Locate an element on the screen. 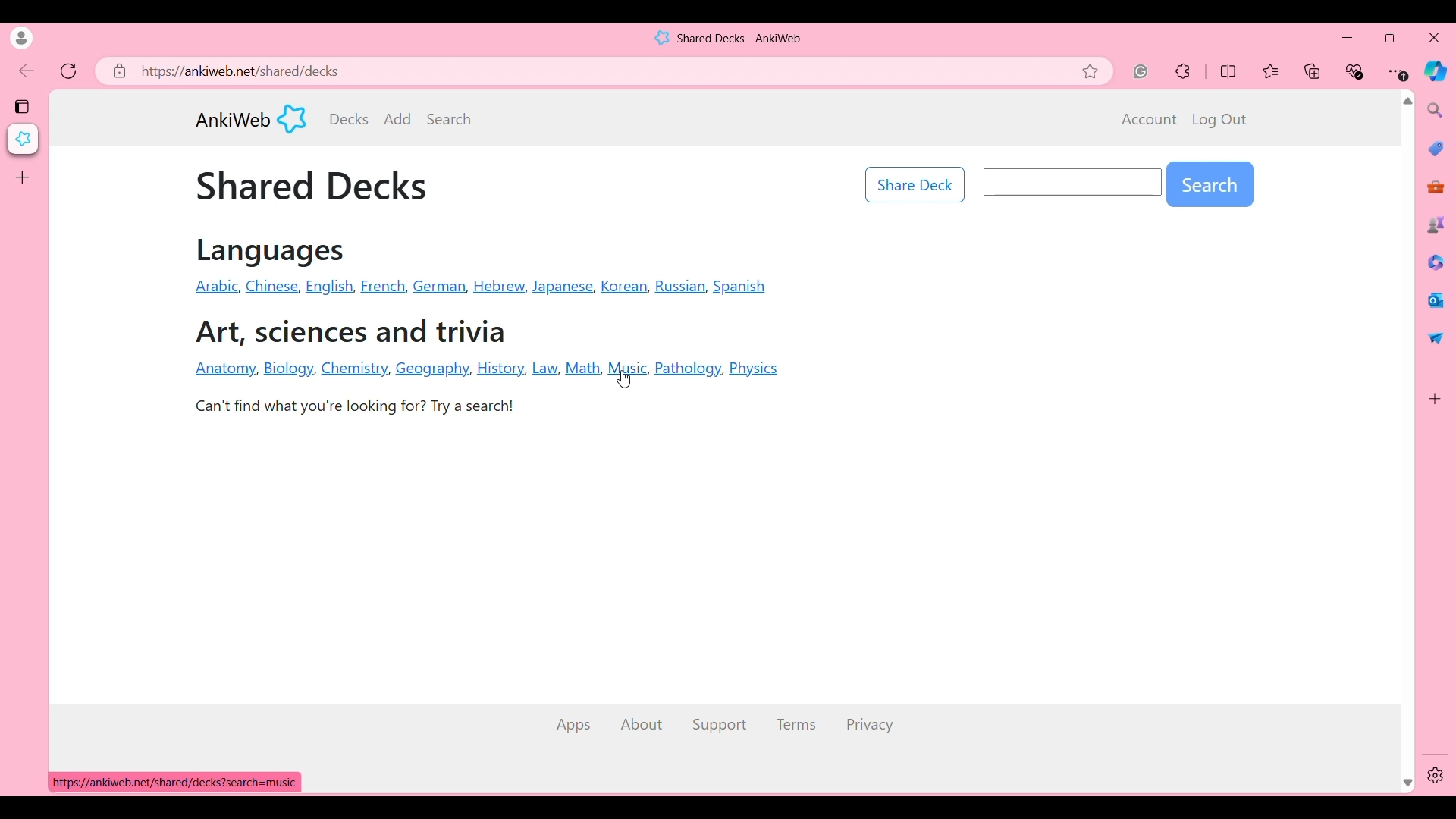  Shared Decks is located at coordinates (312, 186).